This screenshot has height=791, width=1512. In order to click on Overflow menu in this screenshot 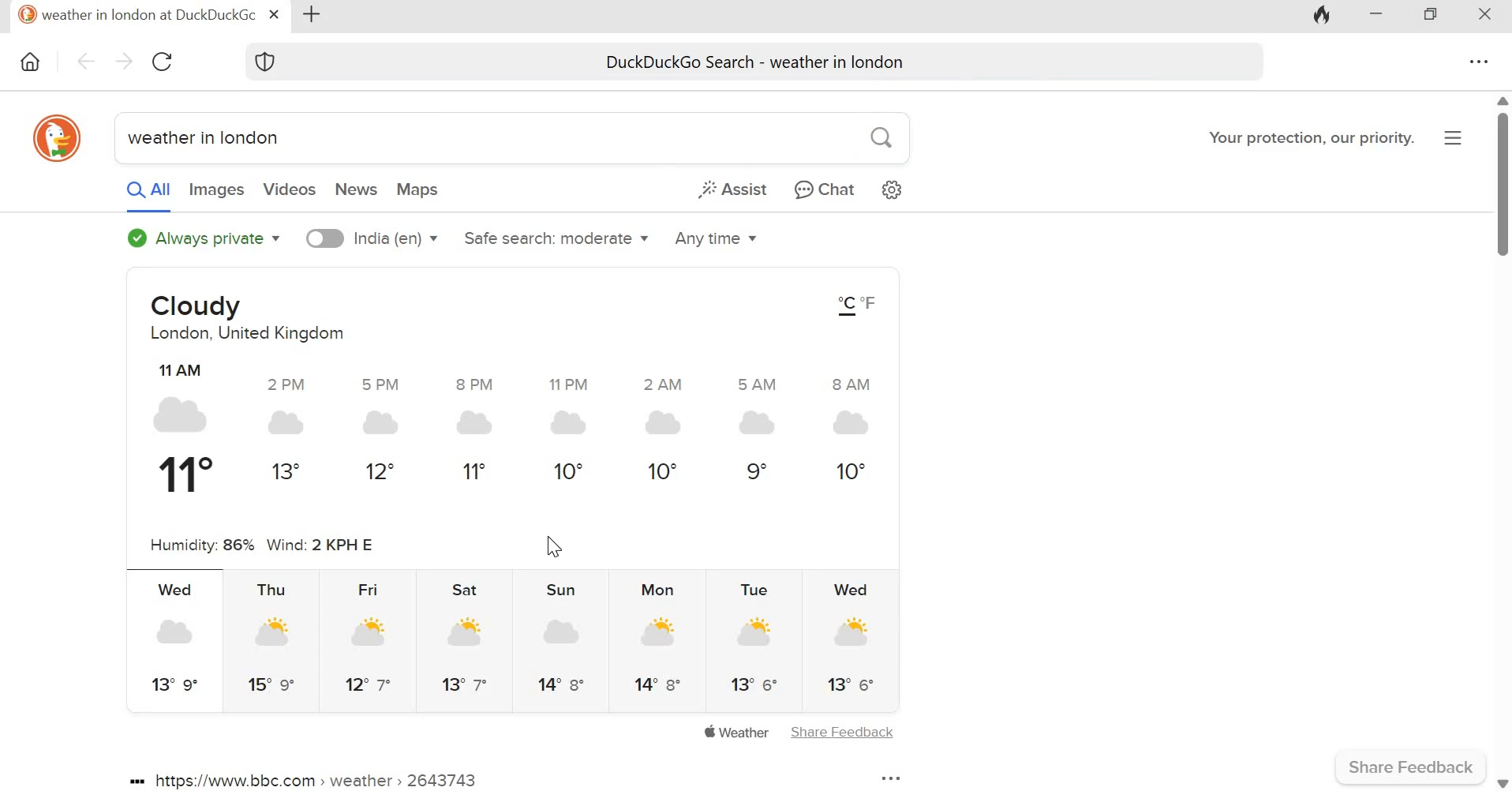, I will do `click(1476, 61)`.